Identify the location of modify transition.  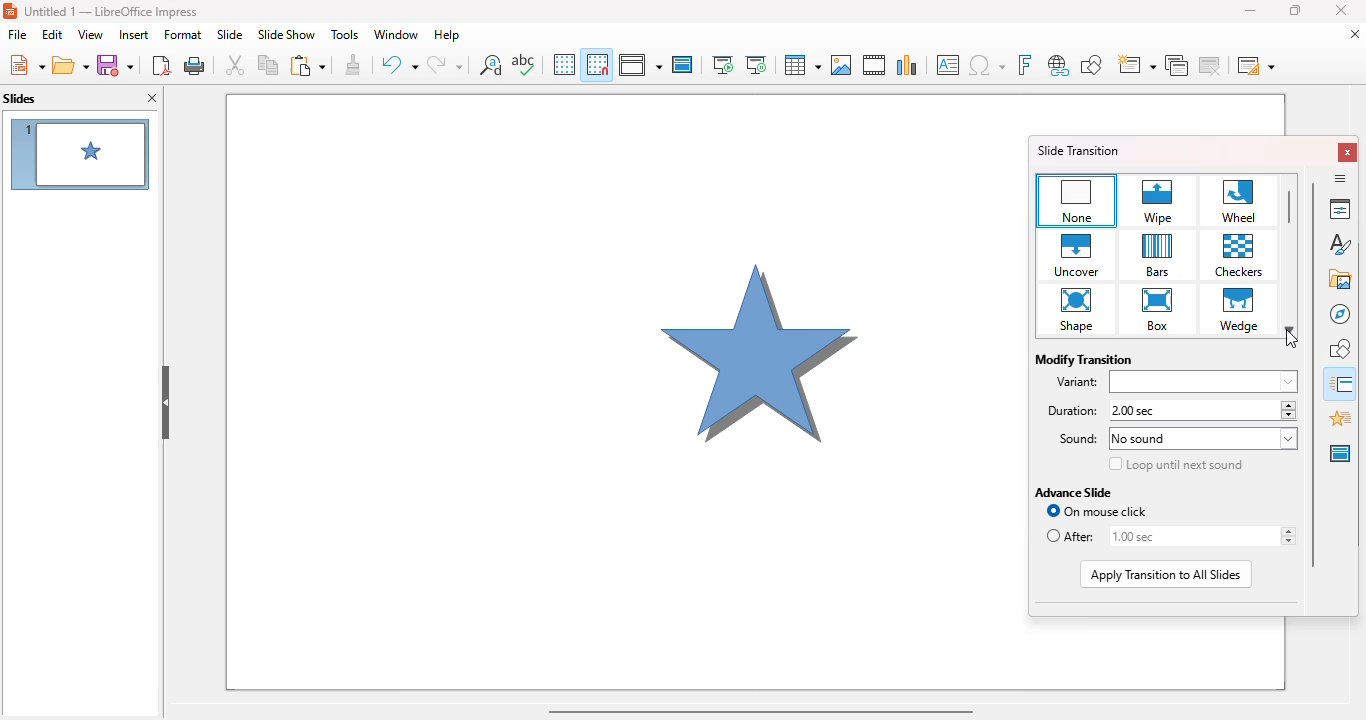
(1083, 359).